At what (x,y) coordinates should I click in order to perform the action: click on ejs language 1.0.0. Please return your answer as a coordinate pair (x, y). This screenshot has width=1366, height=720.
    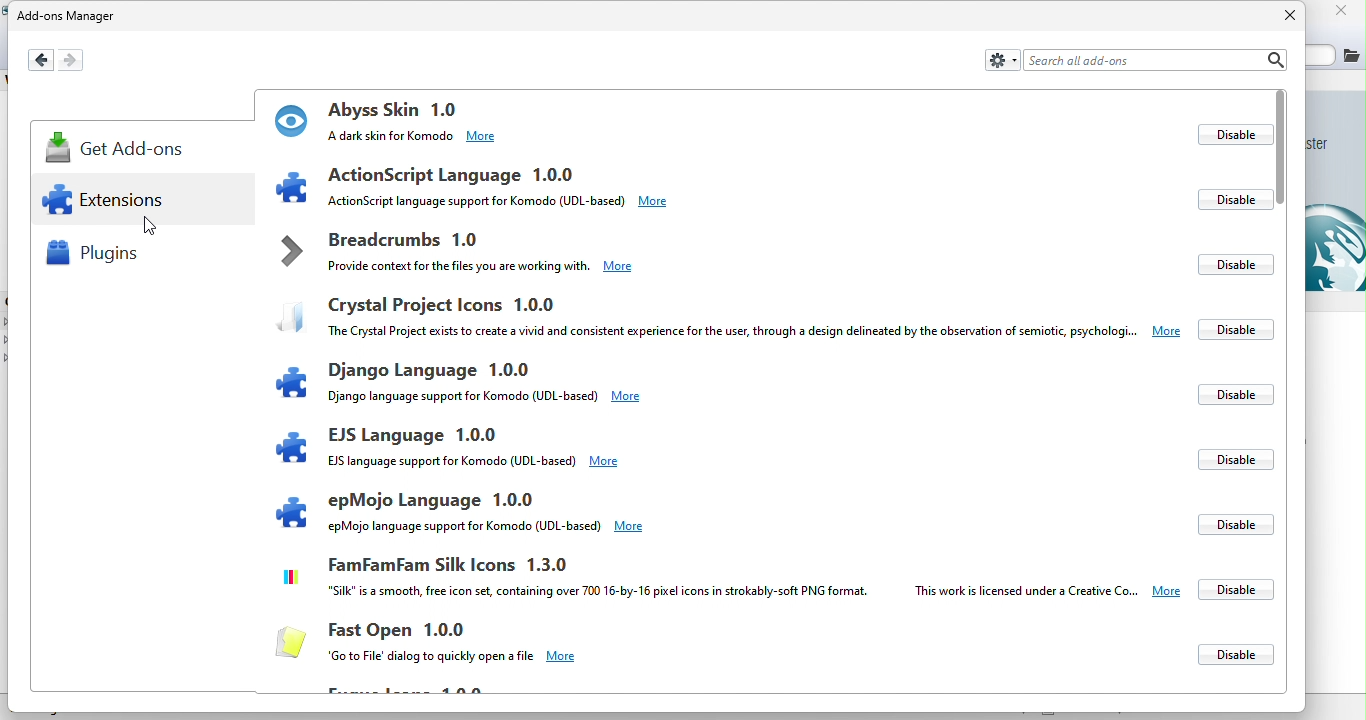
    Looking at the image, I should click on (450, 447).